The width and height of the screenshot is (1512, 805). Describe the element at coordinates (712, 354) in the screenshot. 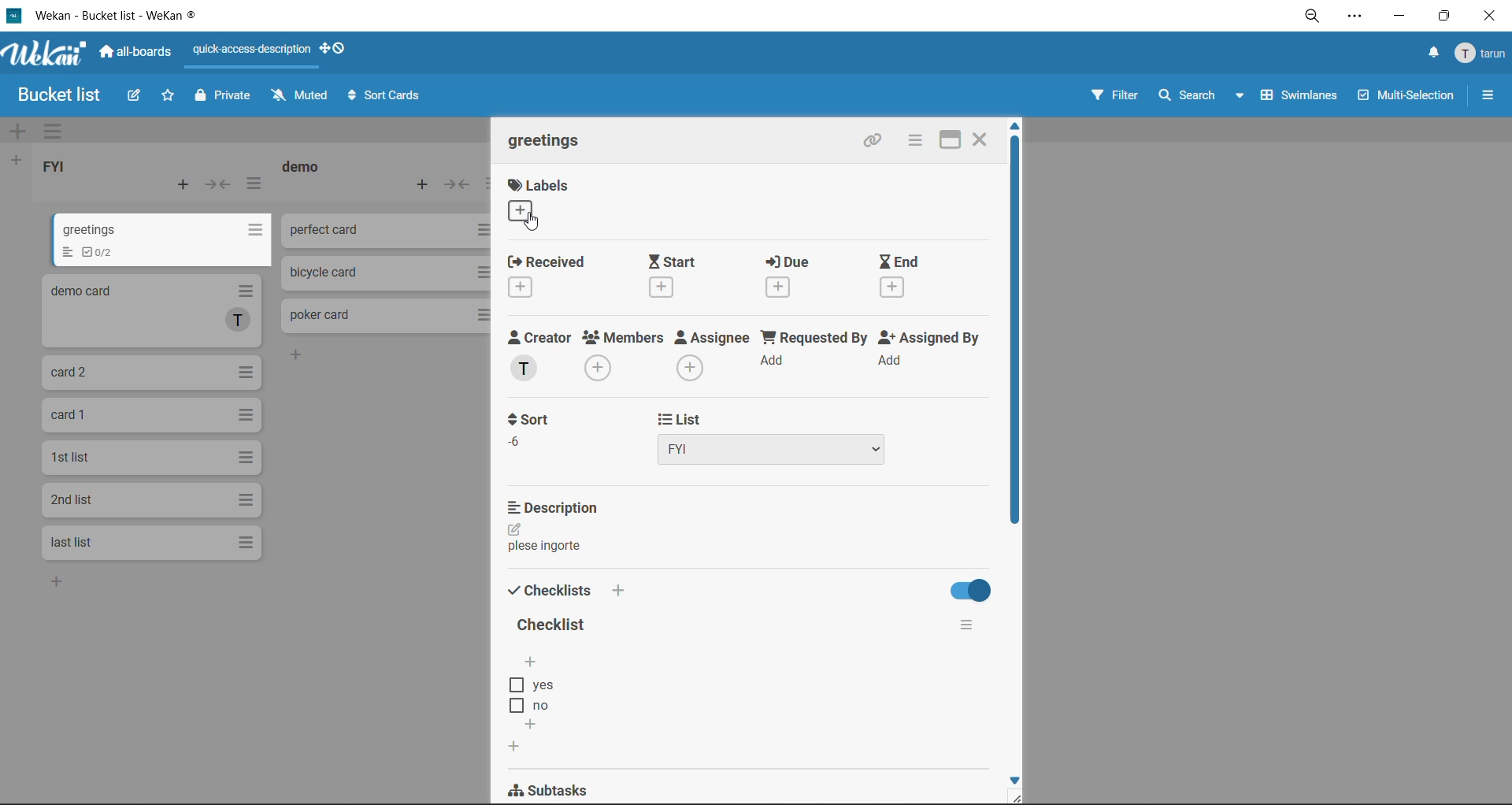

I see `assignee` at that location.